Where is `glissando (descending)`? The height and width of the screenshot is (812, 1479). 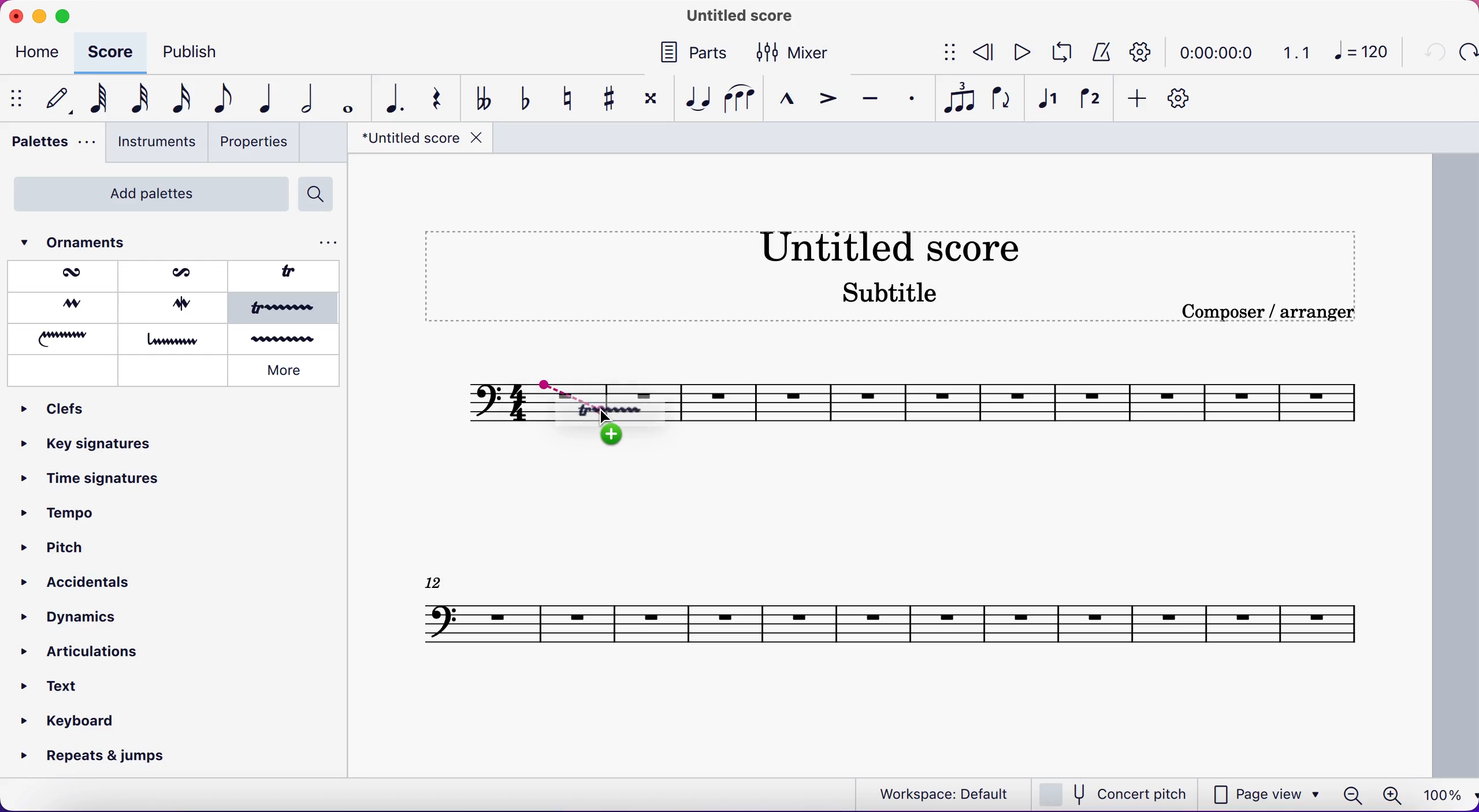
glissando (descending) is located at coordinates (175, 339).